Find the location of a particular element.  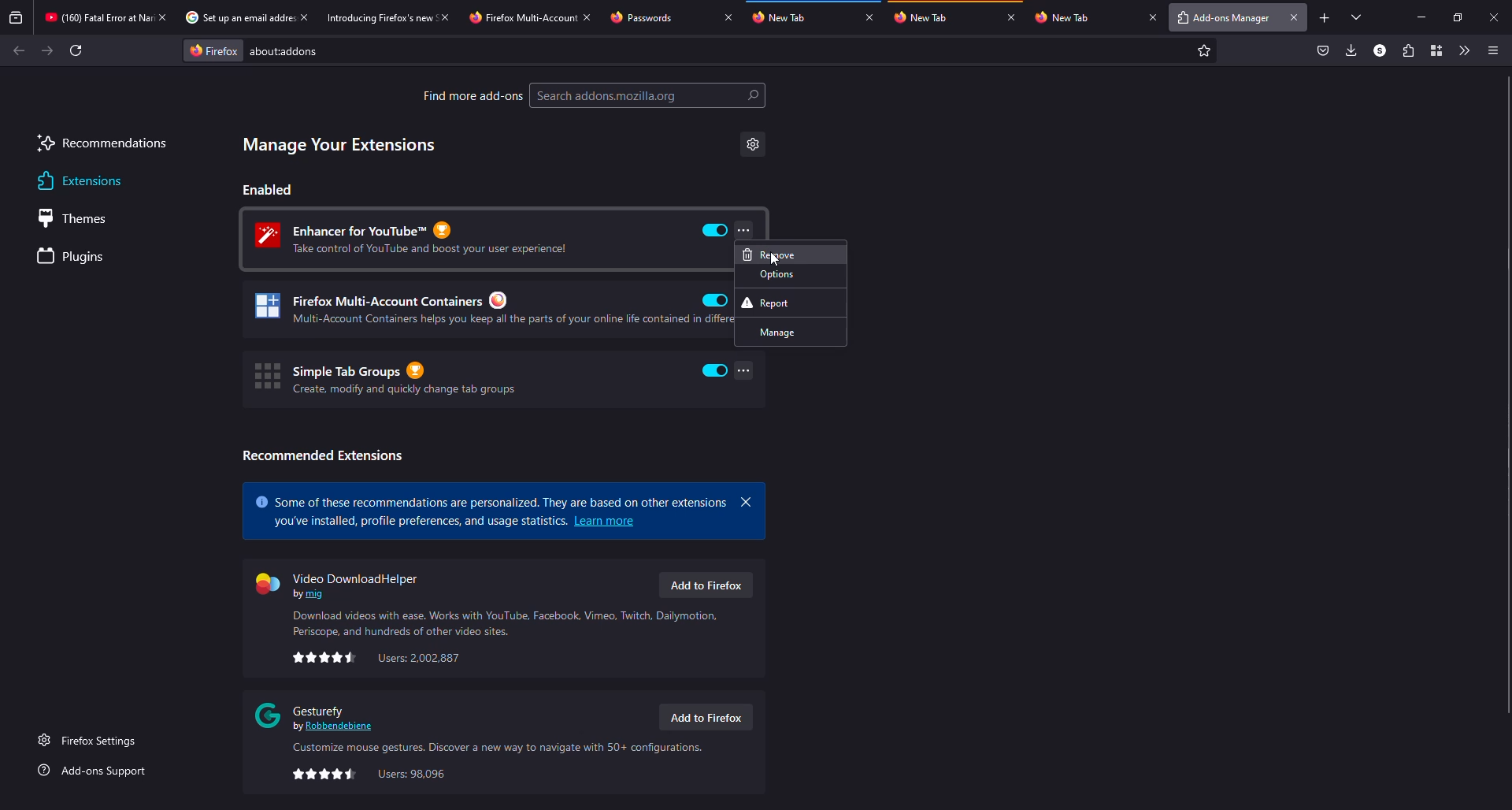

Star rating is located at coordinates (325, 657).